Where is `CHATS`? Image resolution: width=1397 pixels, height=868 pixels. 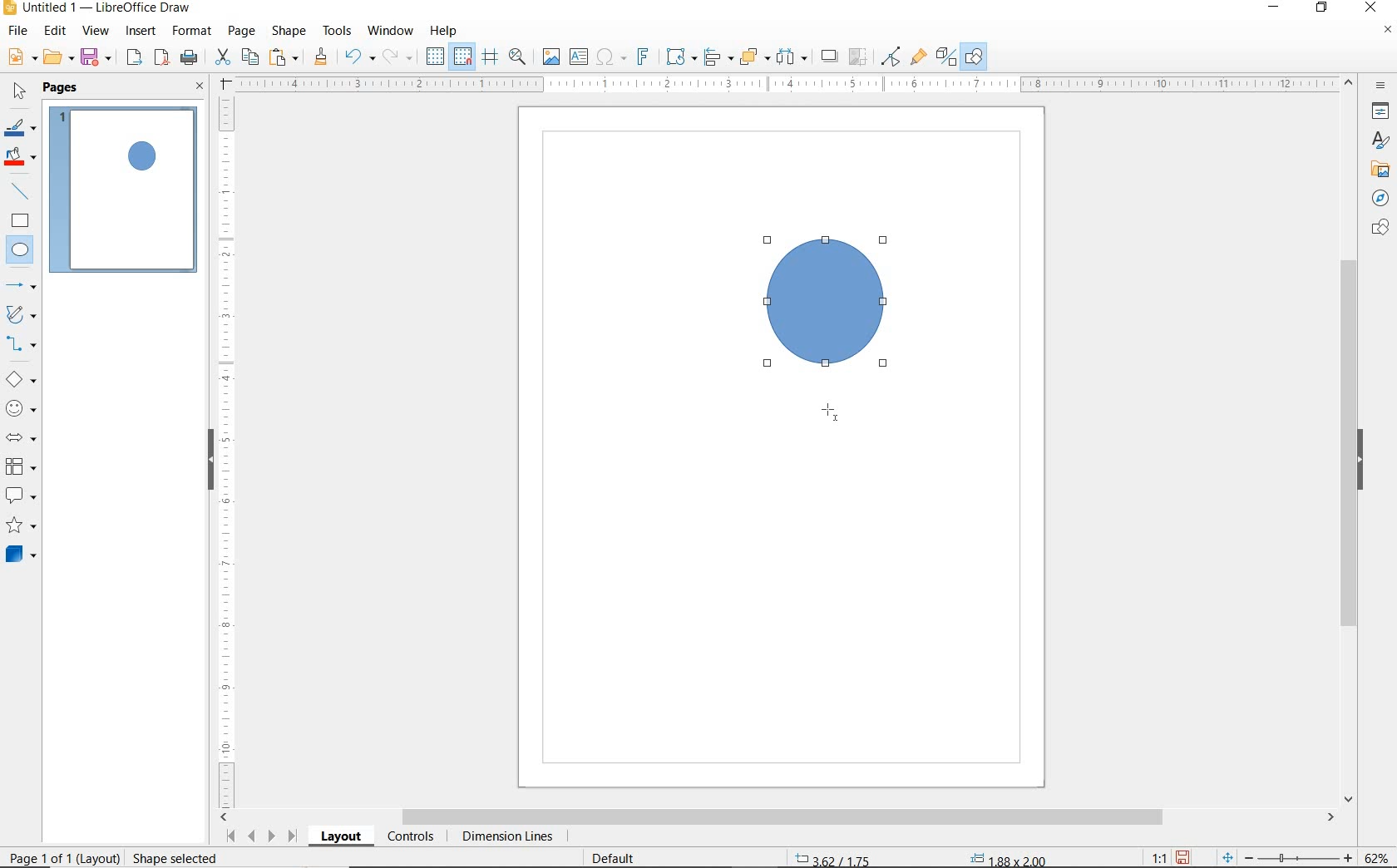
CHATS is located at coordinates (1377, 235).